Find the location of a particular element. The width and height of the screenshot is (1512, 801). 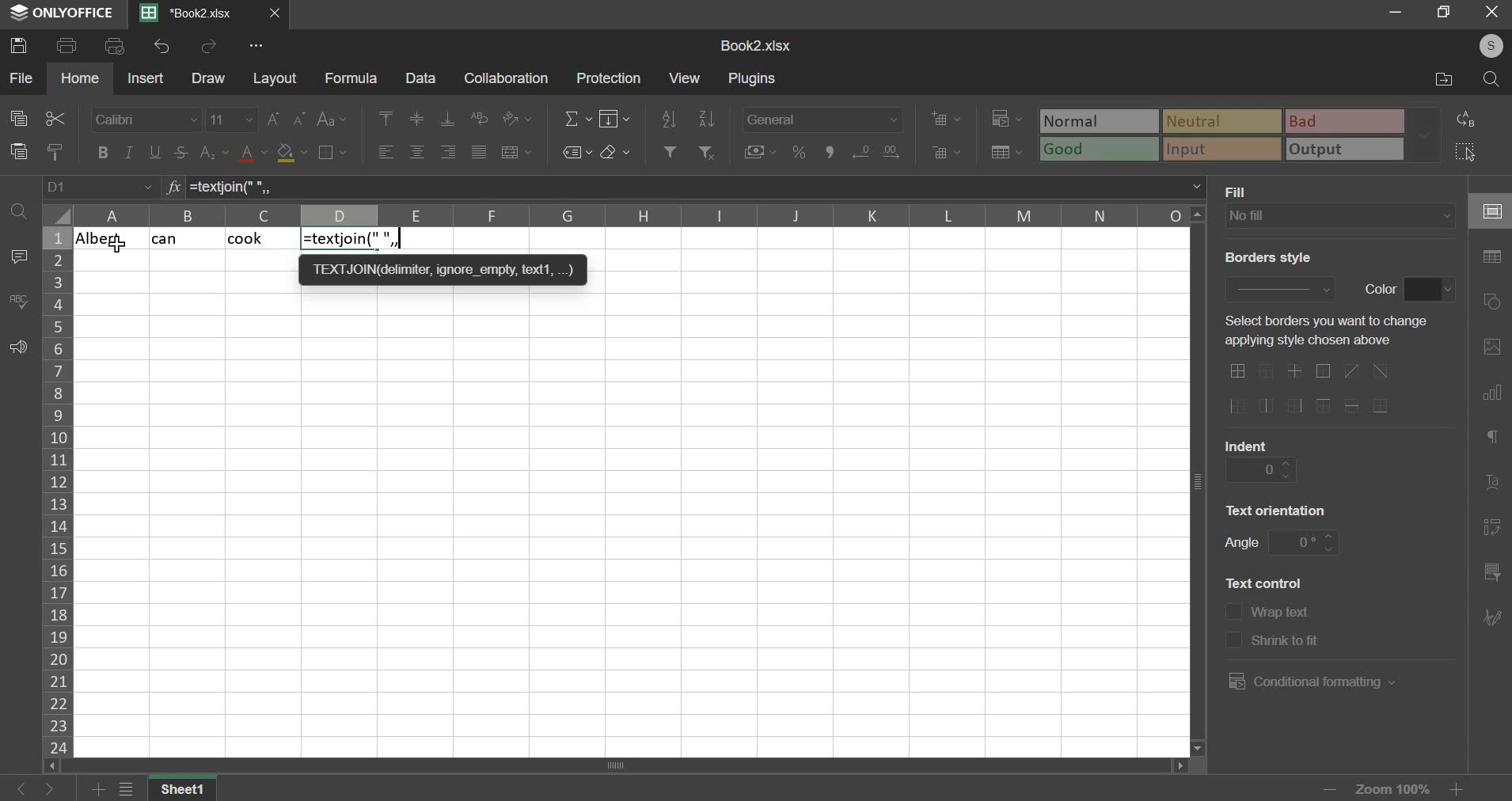

vertical scroll bar is located at coordinates (1201, 480).